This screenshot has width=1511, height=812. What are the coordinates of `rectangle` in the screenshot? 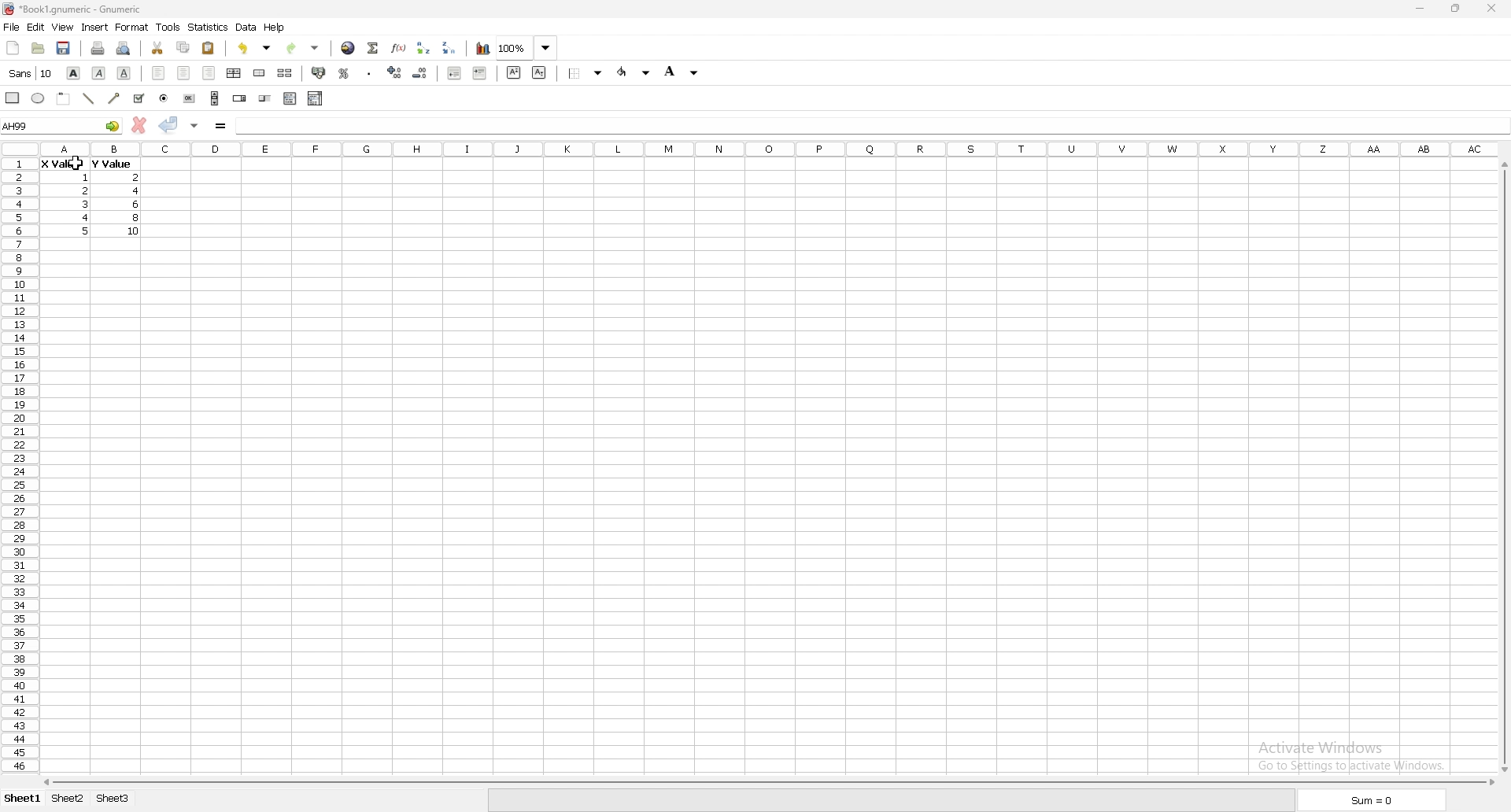 It's located at (13, 97).